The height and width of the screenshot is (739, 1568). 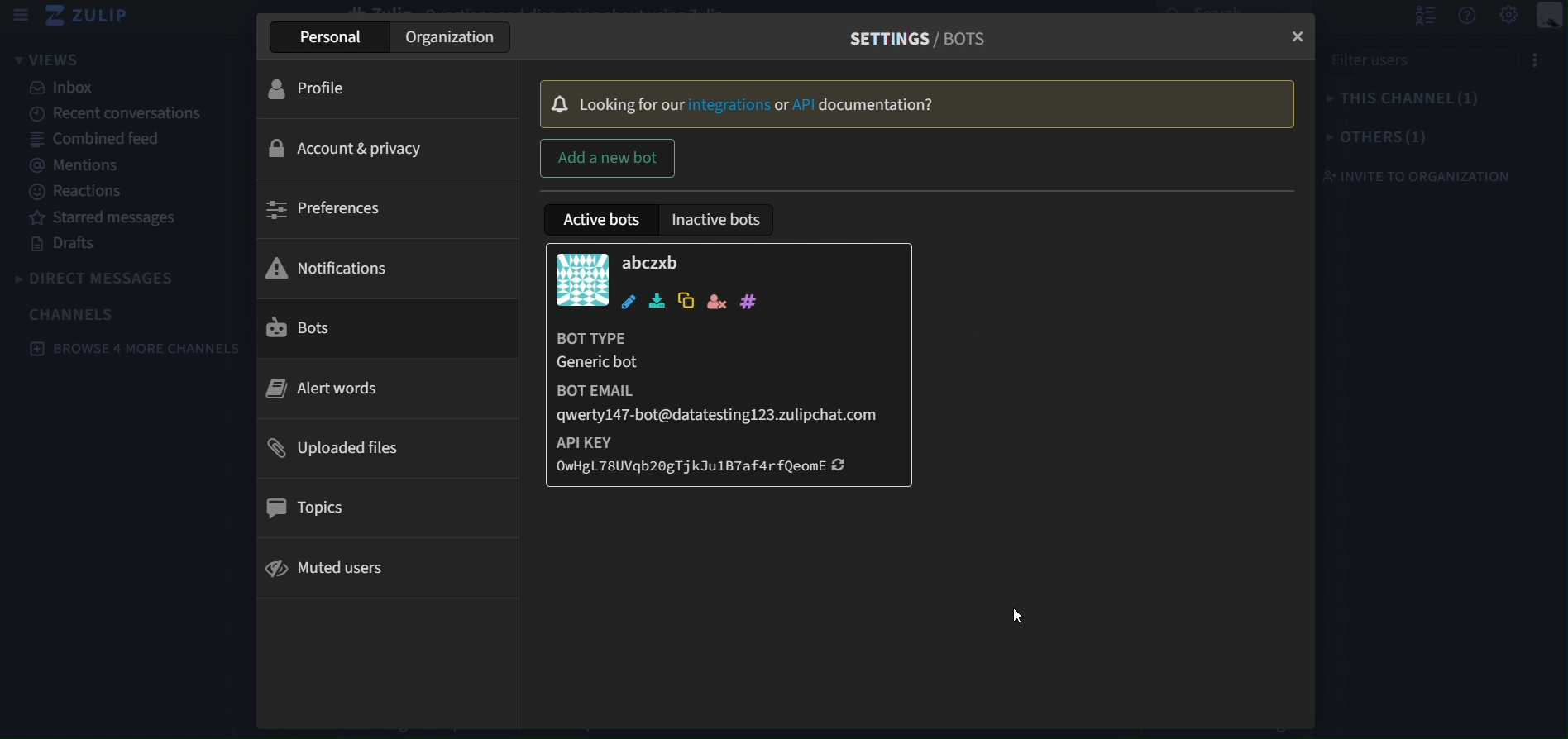 What do you see at coordinates (80, 163) in the screenshot?
I see `mentions` at bounding box center [80, 163].